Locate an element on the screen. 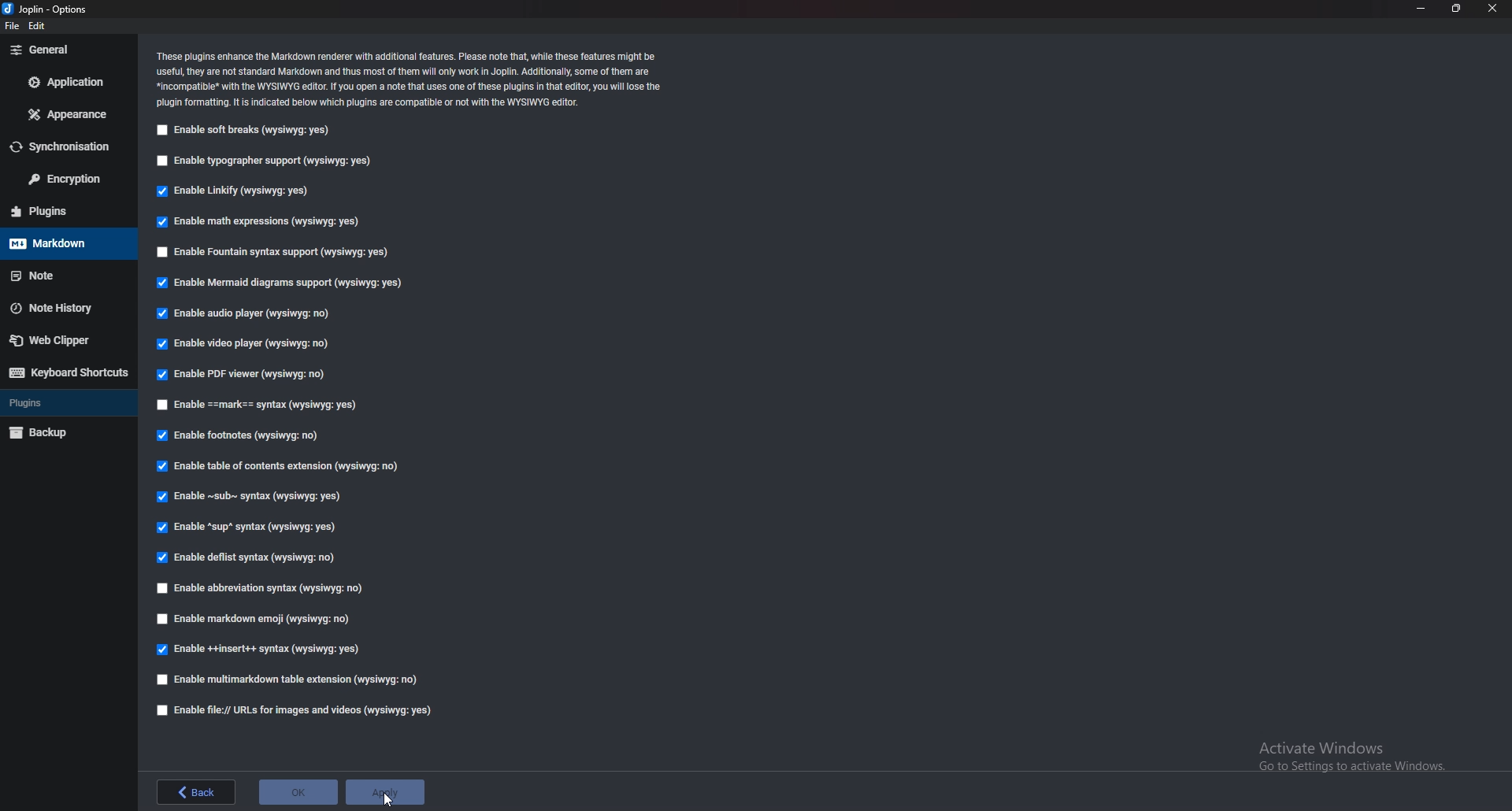  plugins is located at coordinates (64, 211).